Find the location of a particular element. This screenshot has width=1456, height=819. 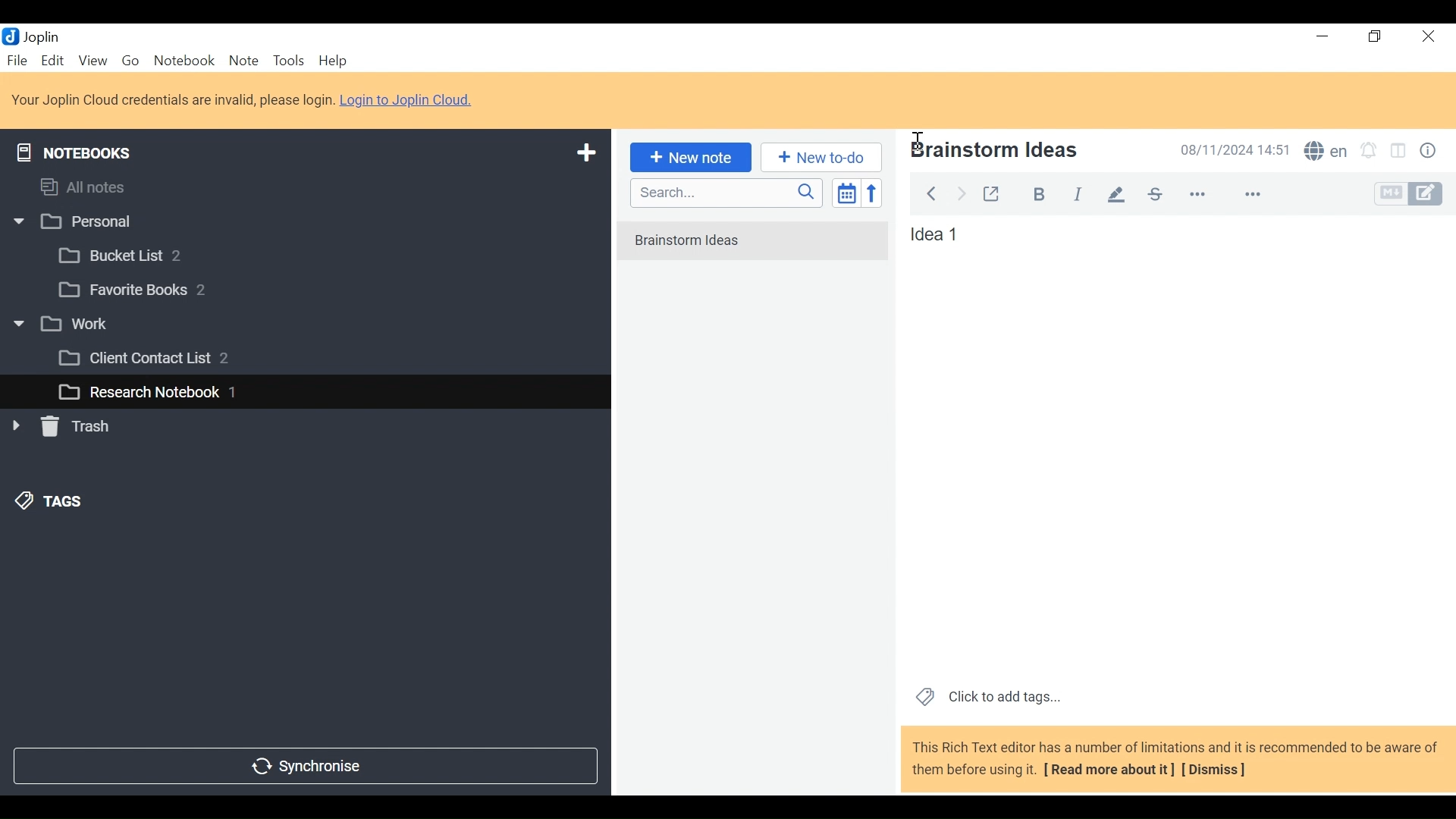

Notebook is located at coordinates (186, 60).